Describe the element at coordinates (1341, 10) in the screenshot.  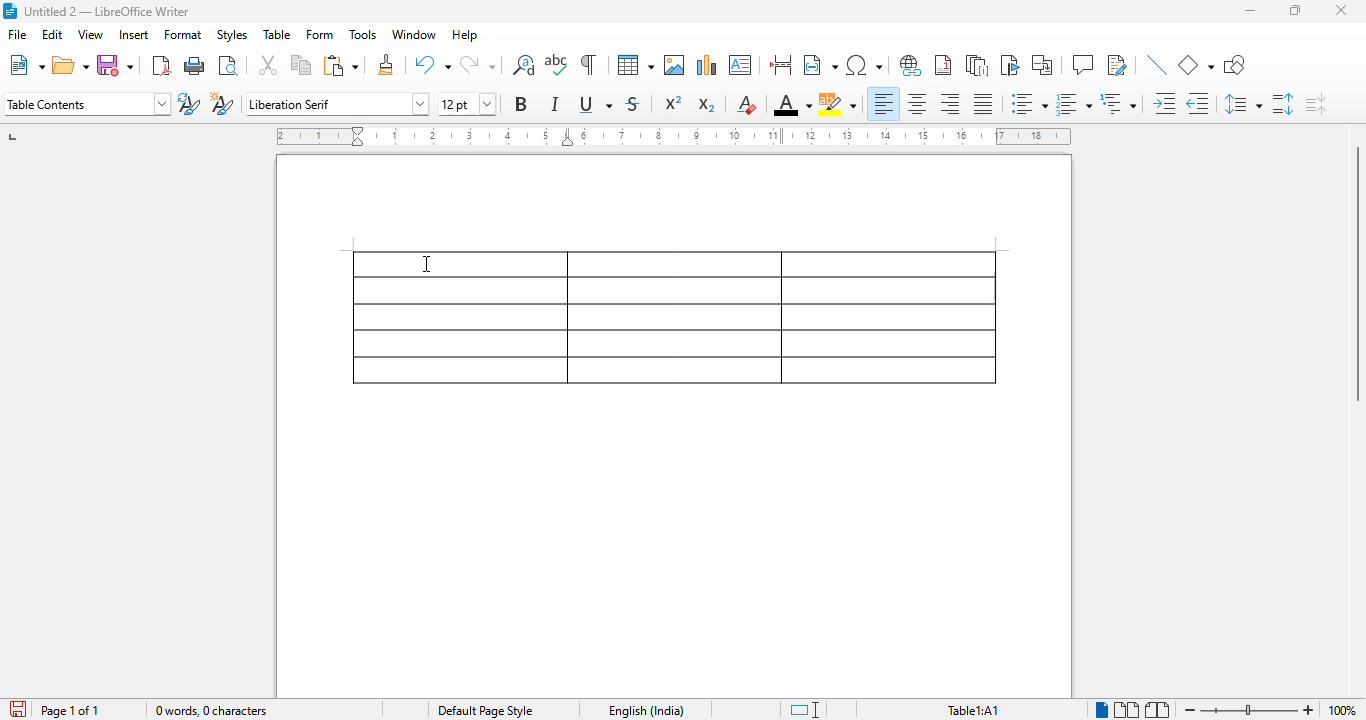
I see `close` at that location.